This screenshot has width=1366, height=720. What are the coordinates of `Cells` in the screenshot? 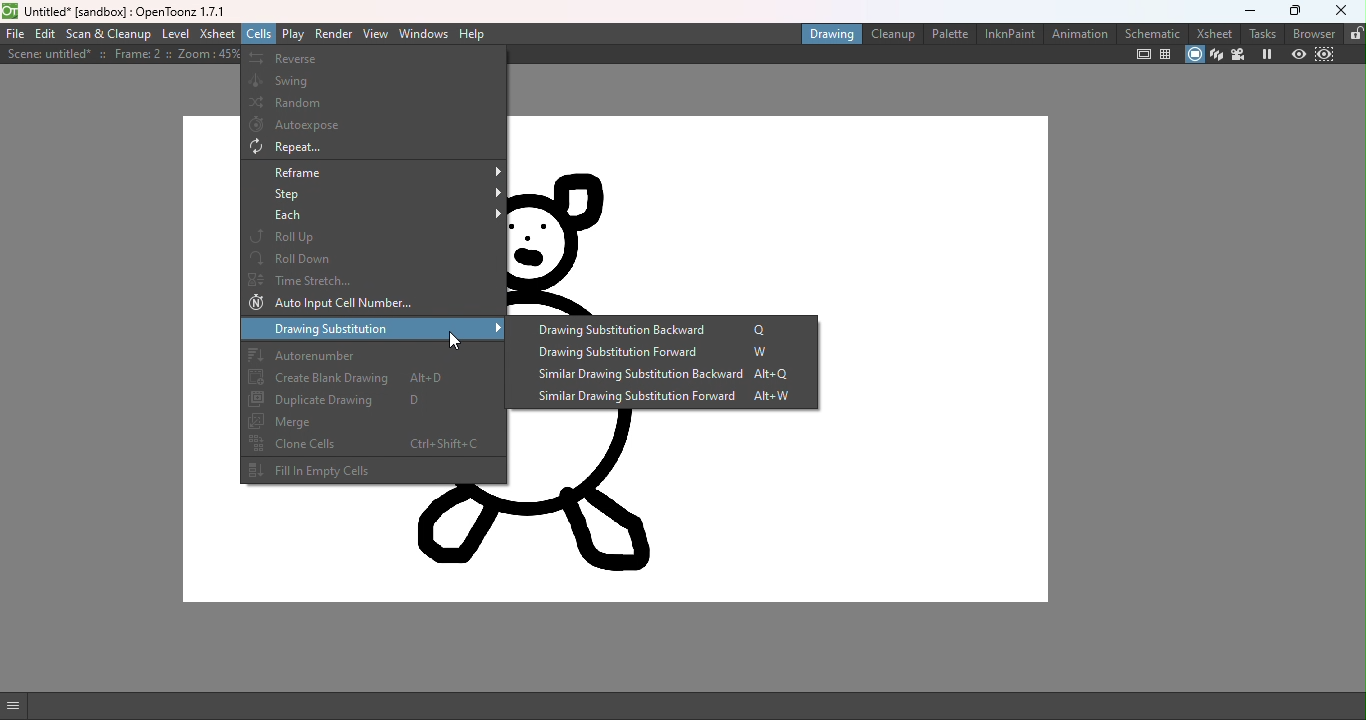 It's located at (257, 33).